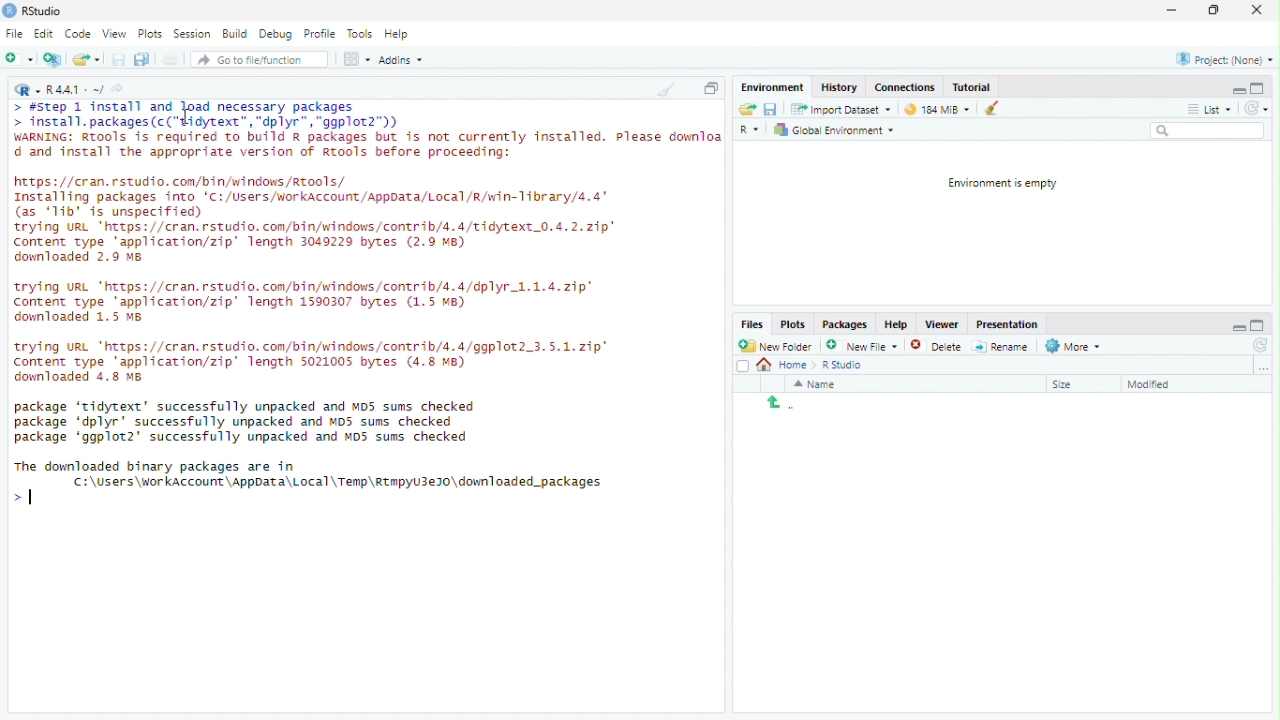 The height and width of the screenshot is (720, 1280). What do you see at coordinates (1075, 347) in the screenshot?
I see `More` at bounding box center [1075, 347].